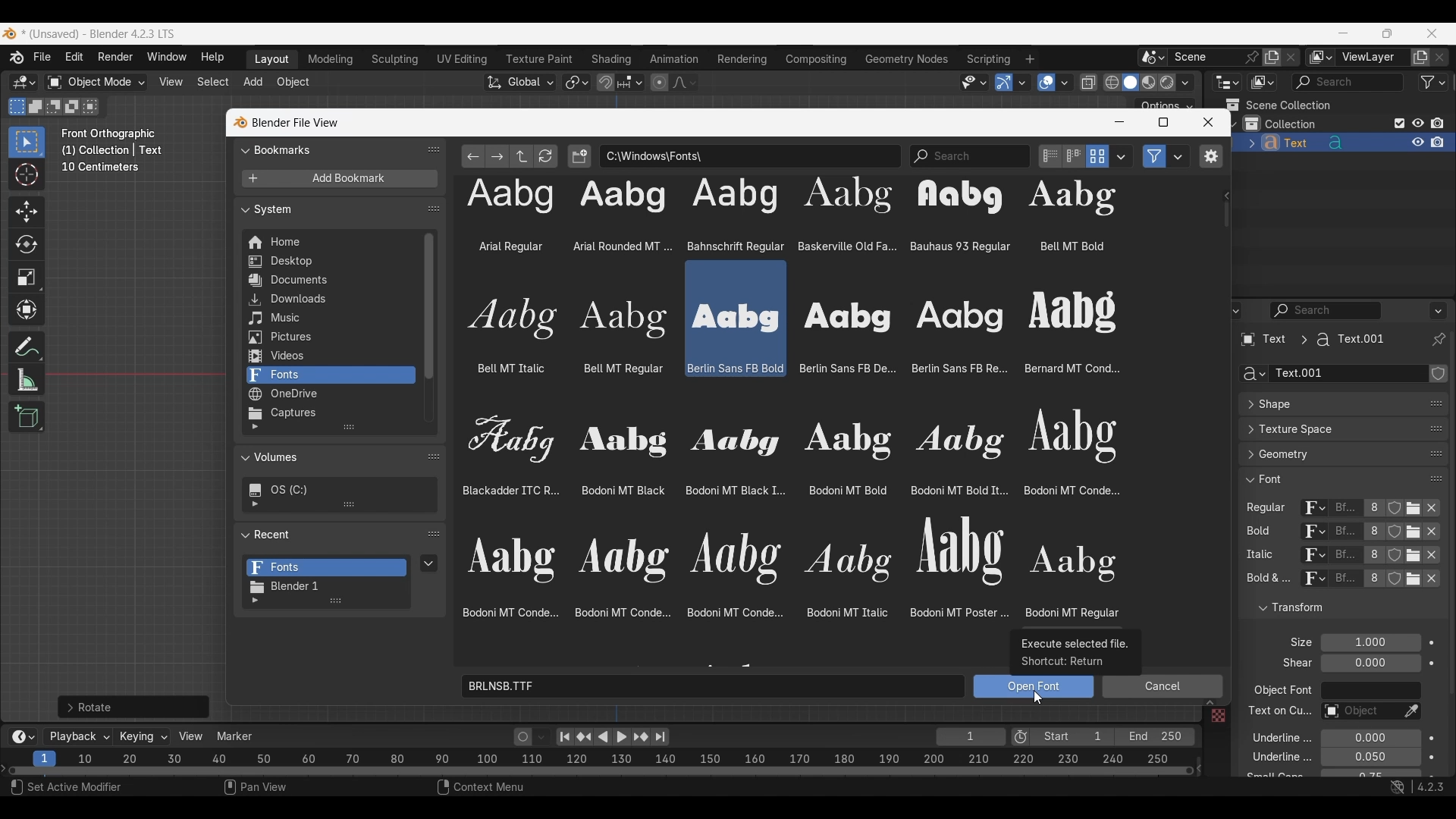 The image size is (1456, 819). I want to click on Display settings, so click(1122, 156).